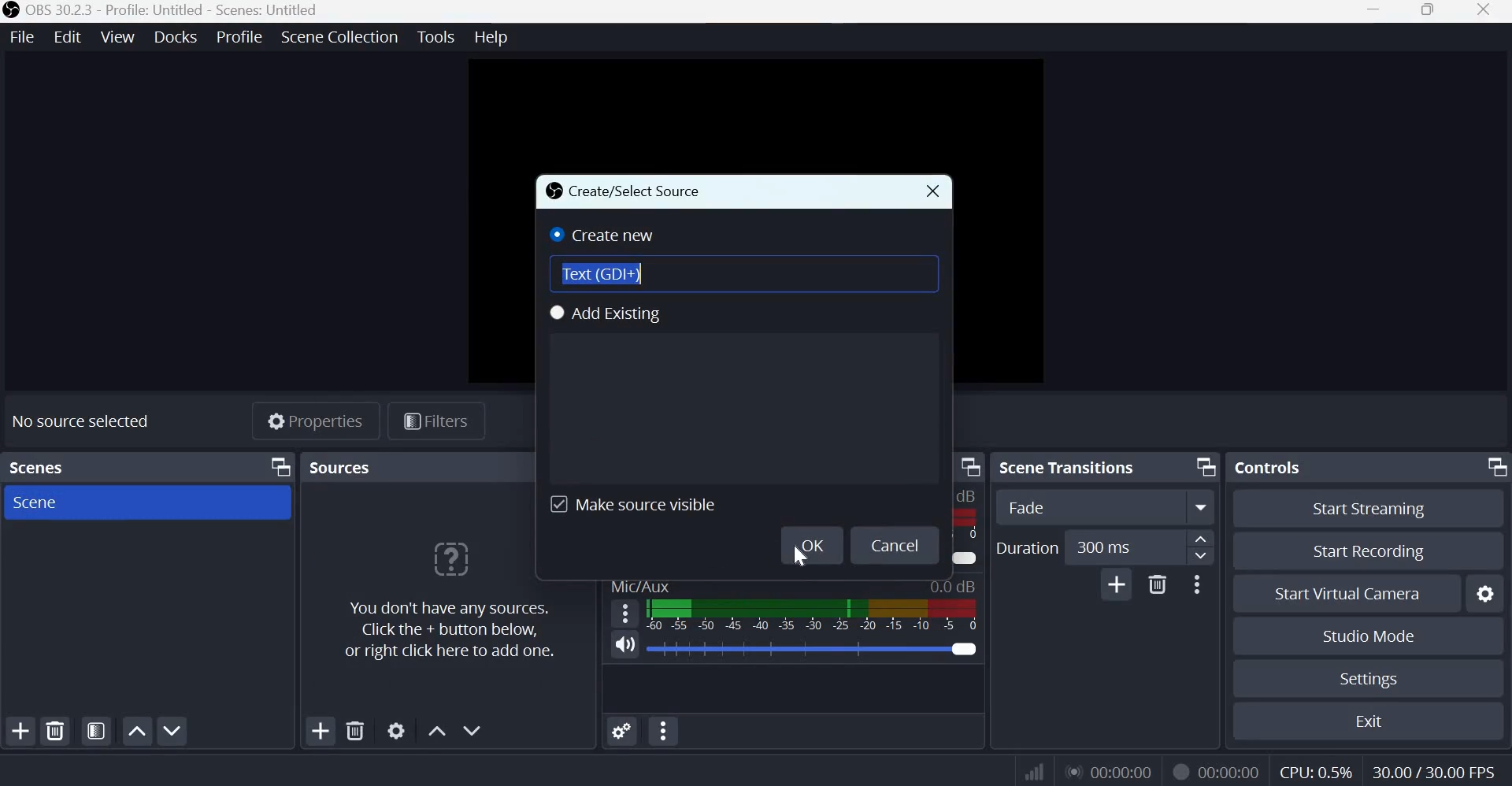 The image size is (1512, 786). Describe the element at coordinates (1369, 637) in the screenshot. I see `Studio mode` at that location.